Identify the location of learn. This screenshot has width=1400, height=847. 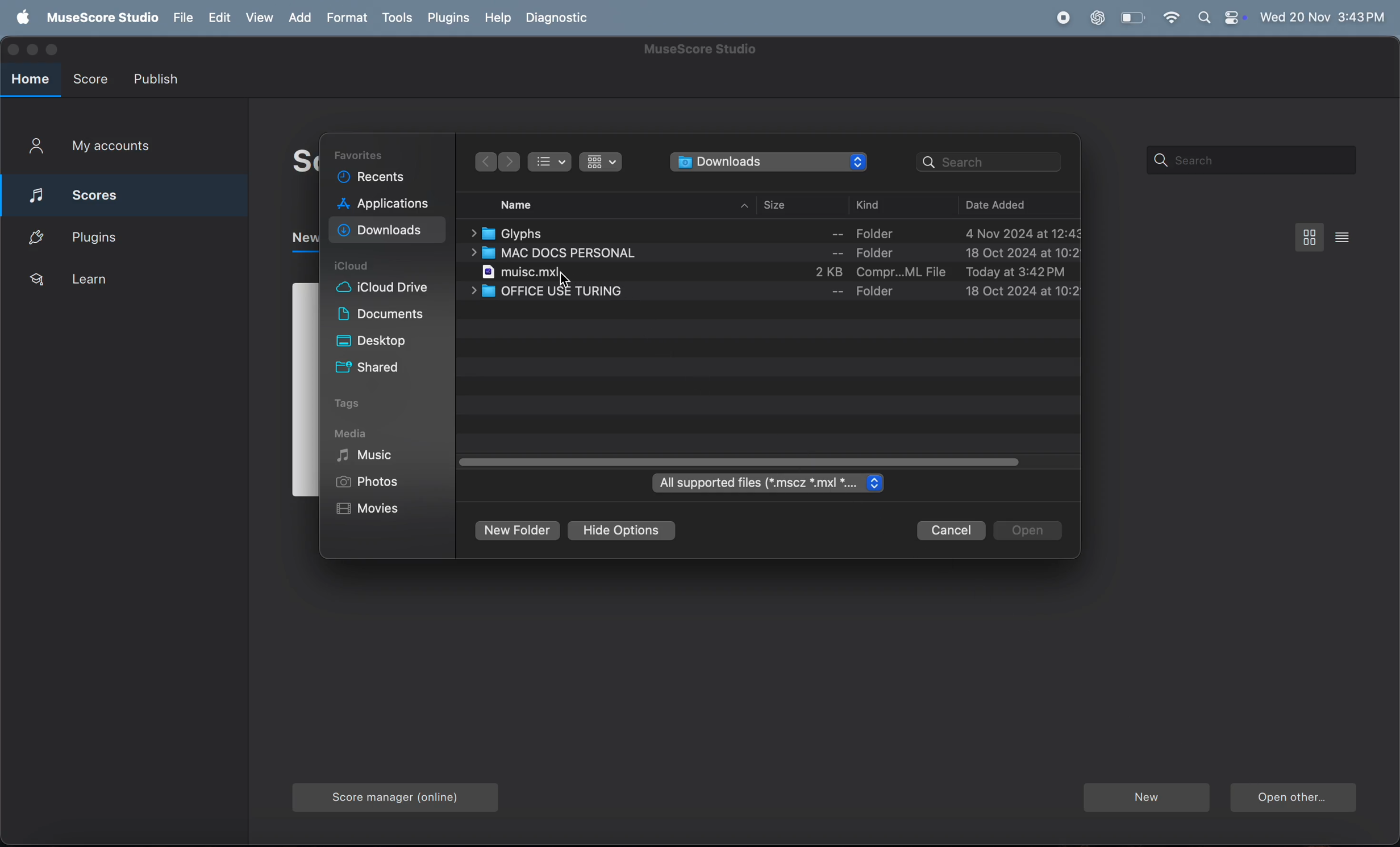
(116, 283).